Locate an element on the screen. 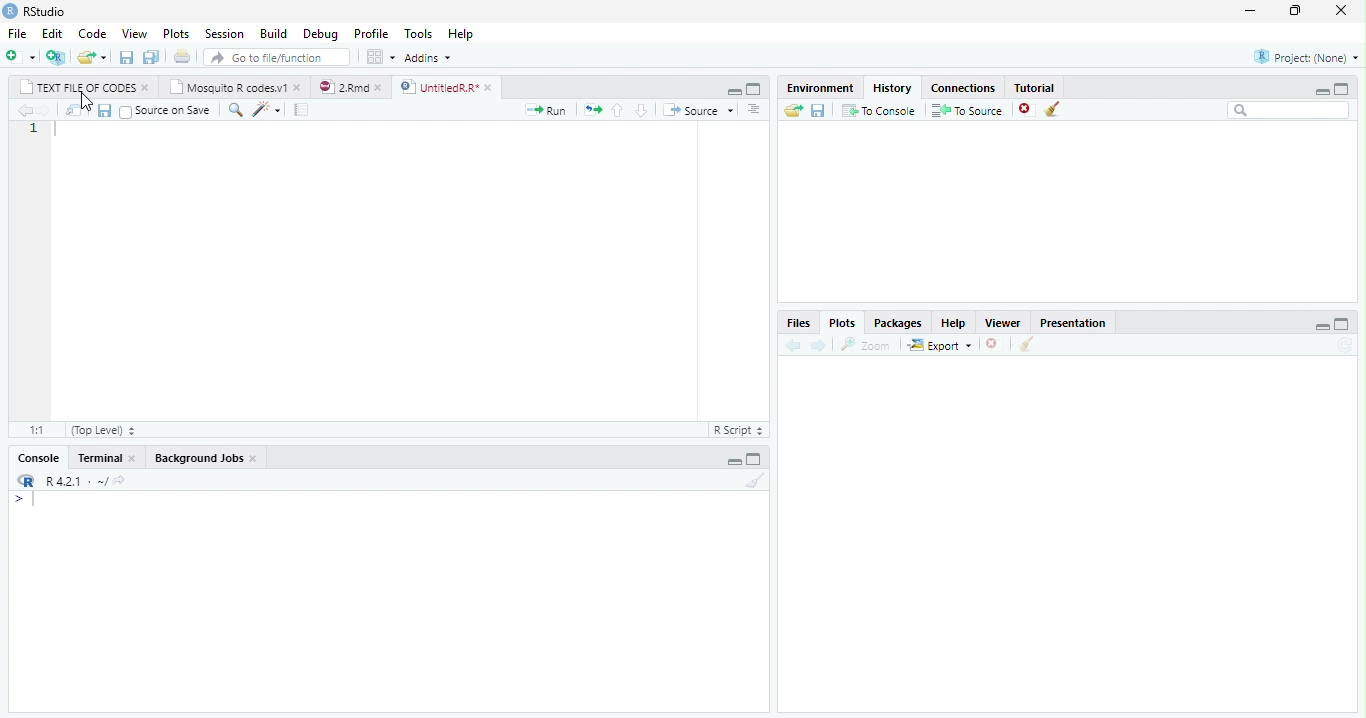 The width and height of the screenshot is (1366, 718). UntitledR.R* is located at coordinates (439, 87).